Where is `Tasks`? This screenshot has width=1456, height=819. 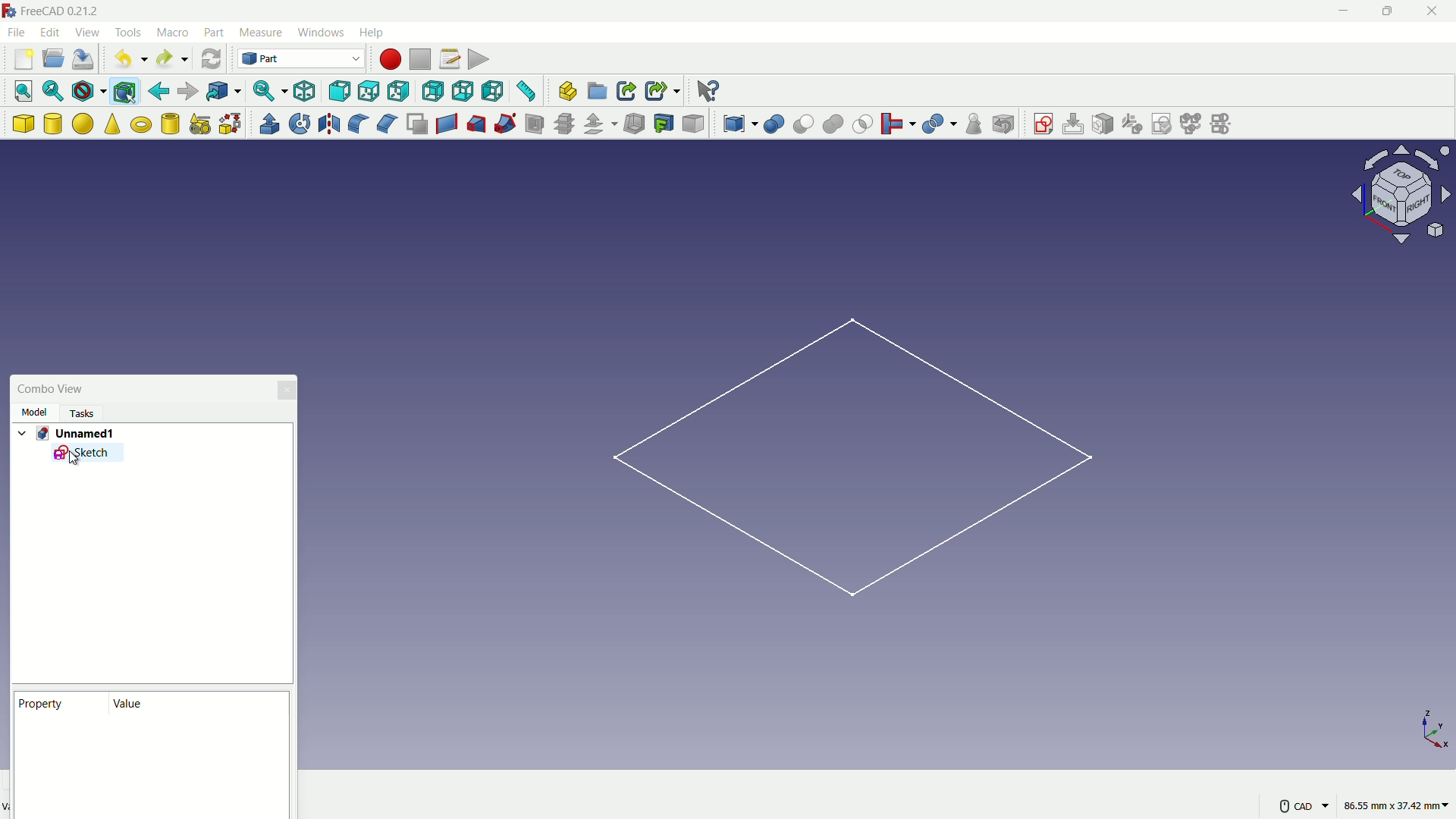 Tasks is located at coordinates (80, 413).